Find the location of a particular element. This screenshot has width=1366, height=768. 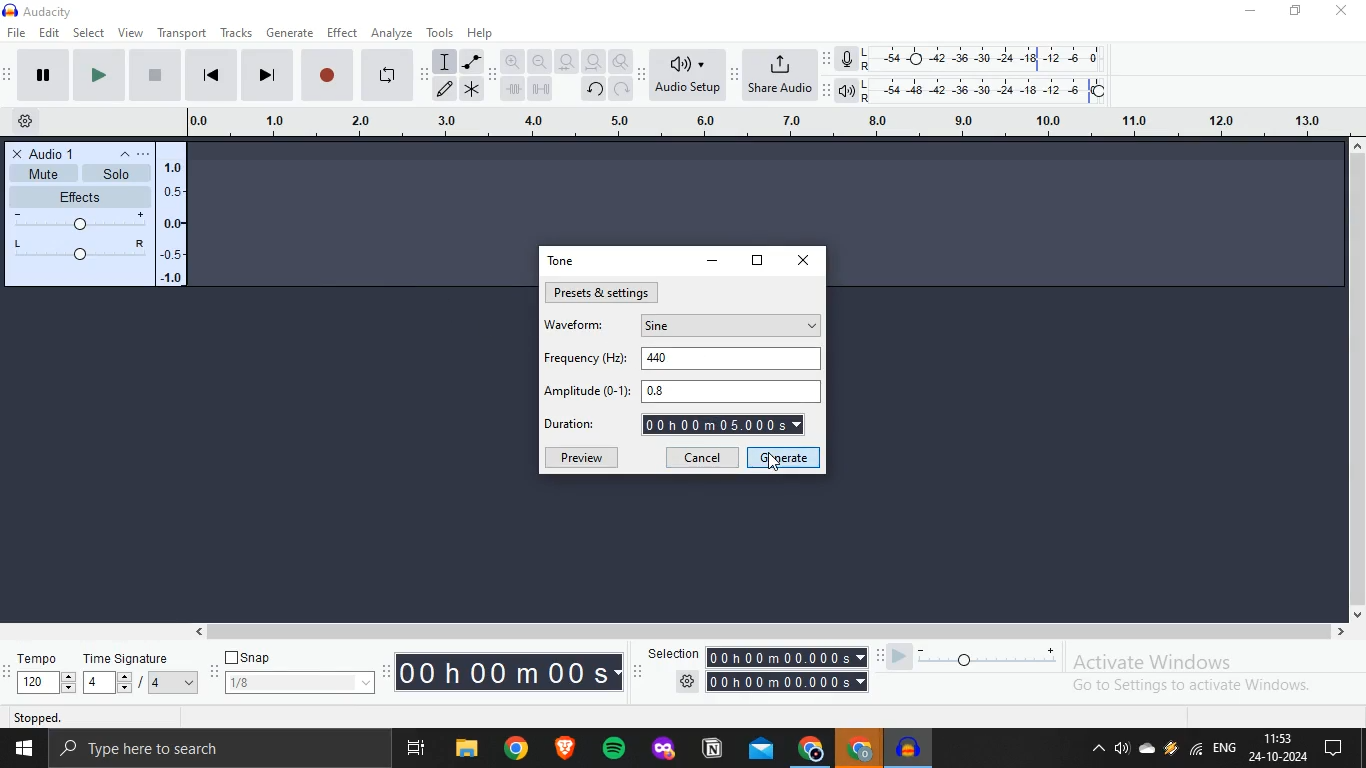

Cursor is located at coordinates (773, 461).